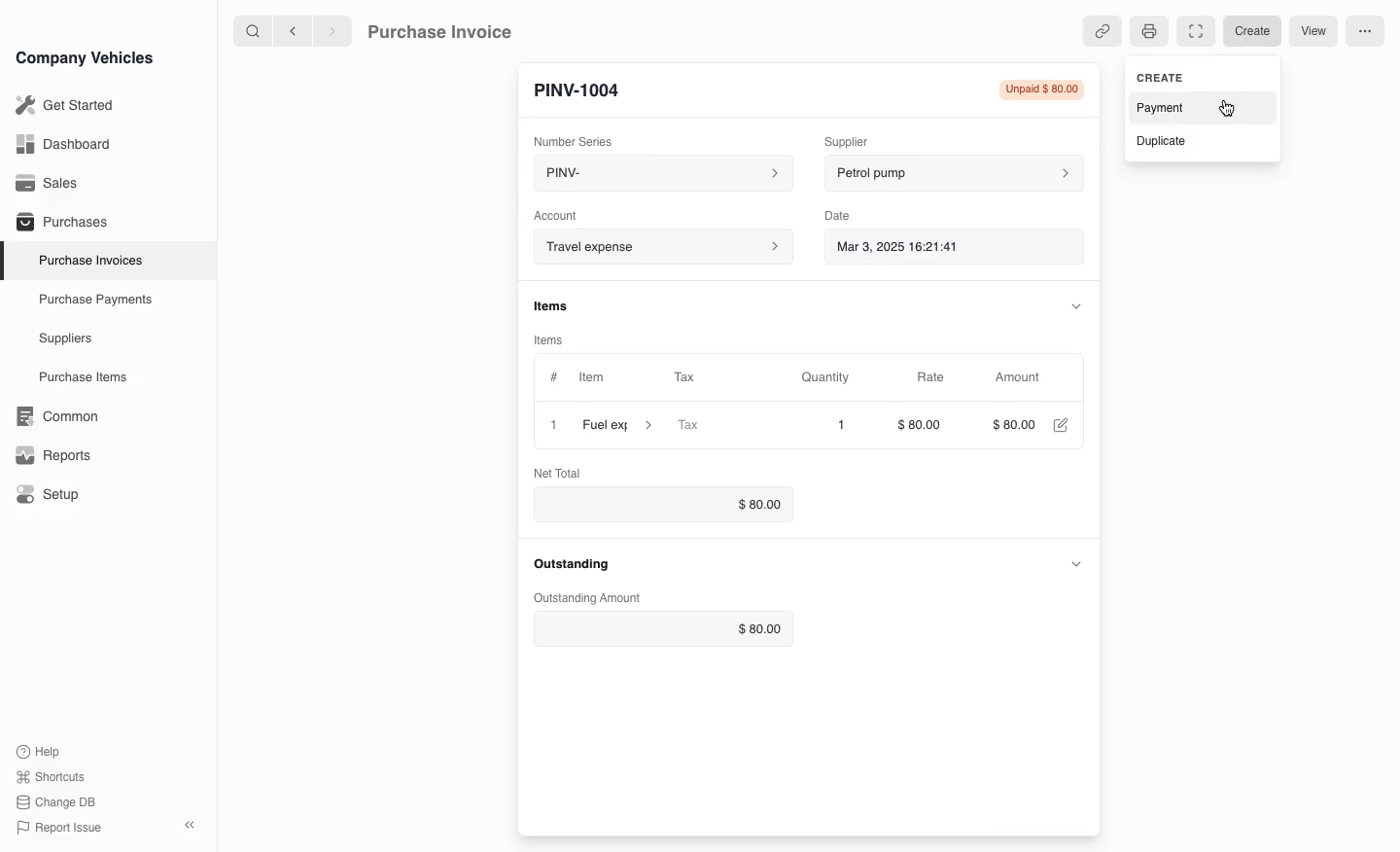 This screenshot has height=852, width=1400. What do you see at coordinates (1199, 76) in the screenshot?
I see `CREATE` at bounding box center [1199, 76].